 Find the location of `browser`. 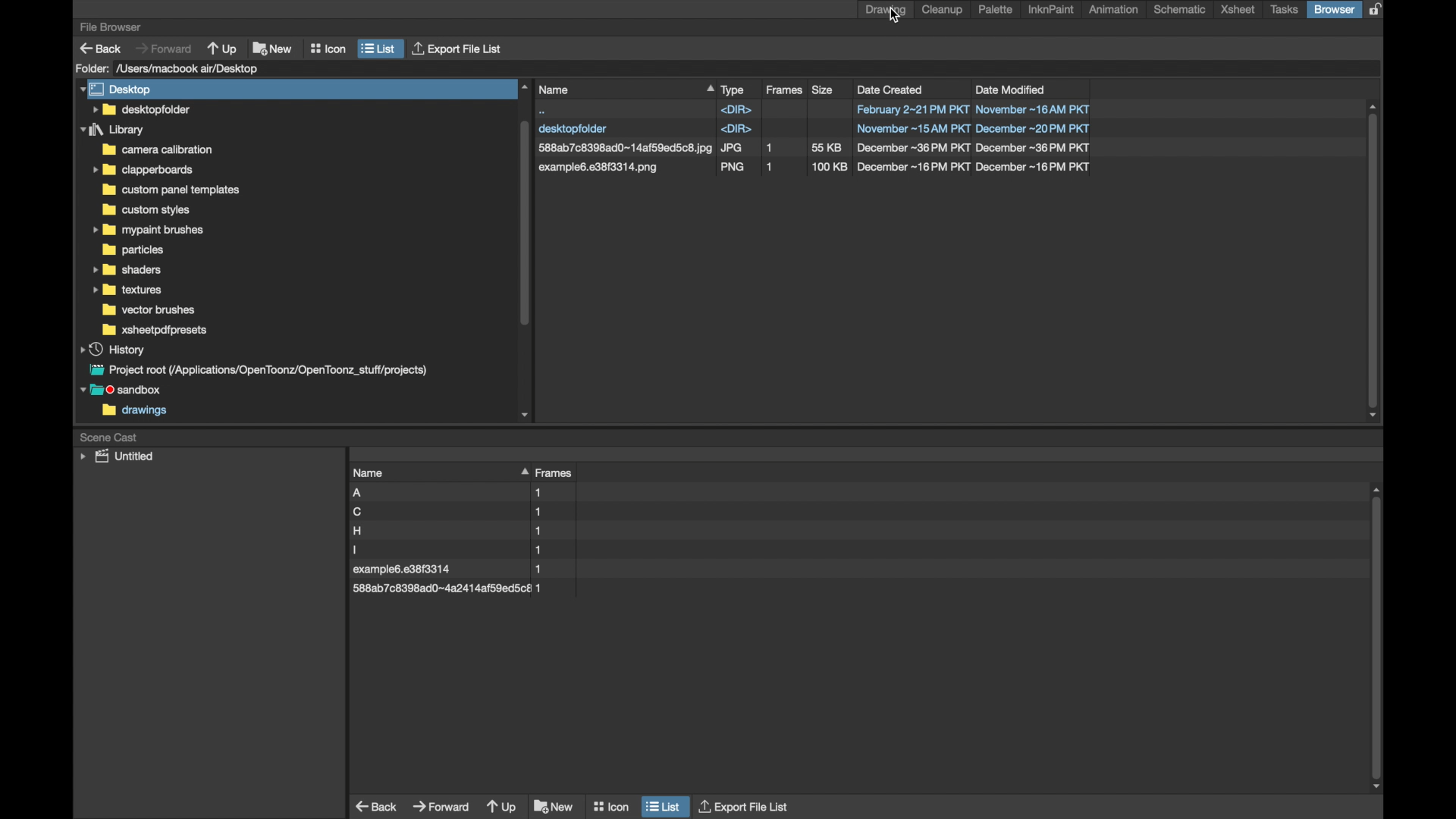

browser is located at coordinates (1334, 9).